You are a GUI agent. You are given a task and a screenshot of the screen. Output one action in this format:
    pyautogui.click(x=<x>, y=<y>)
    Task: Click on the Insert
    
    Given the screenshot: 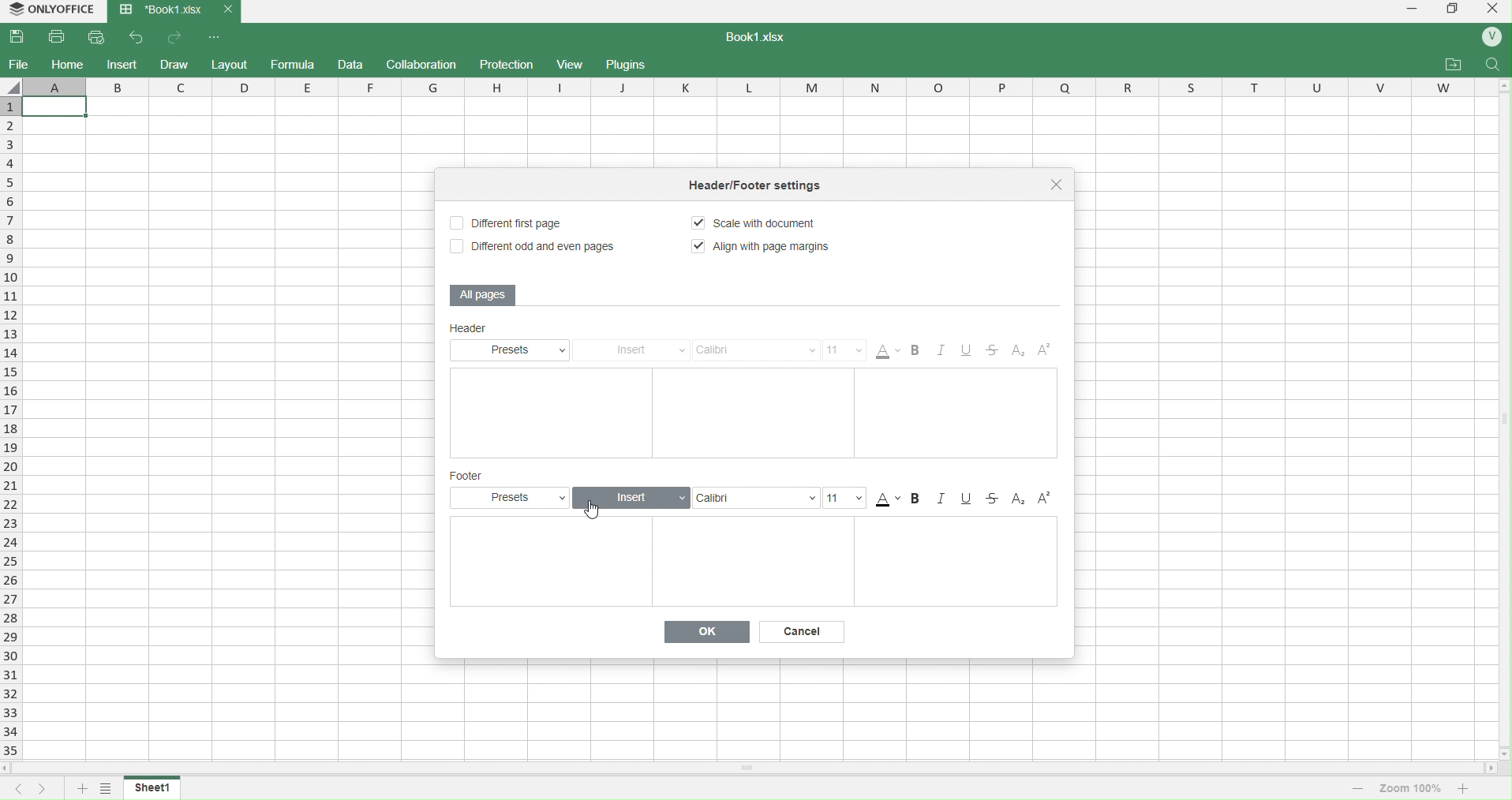 What is the action you would take?
    pyautogui.click(x=633, y=497)
    